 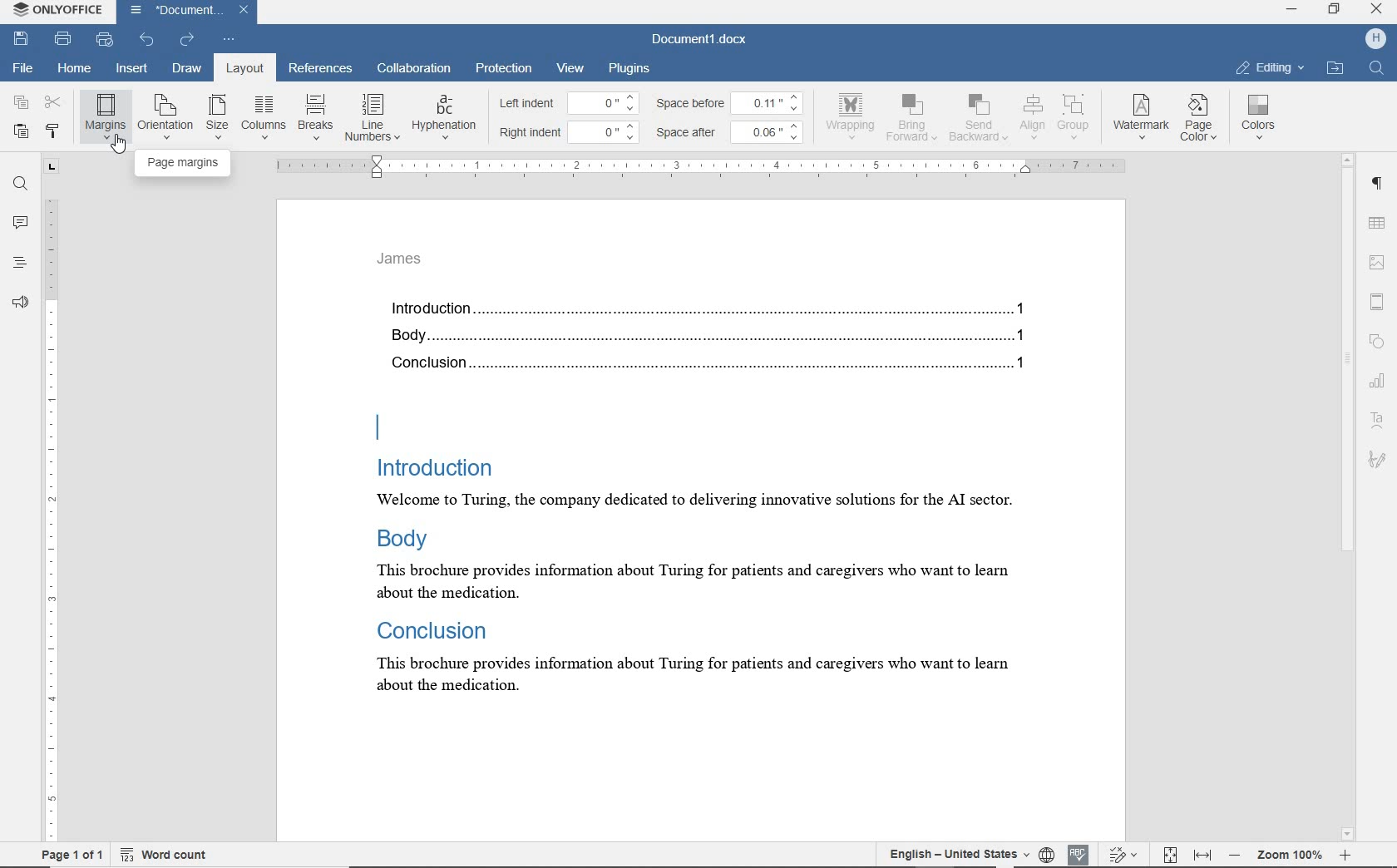 What do you see at coordinates (371, 117) in the screenshot?
I see `line numbers` at bounding box center [371, 117].